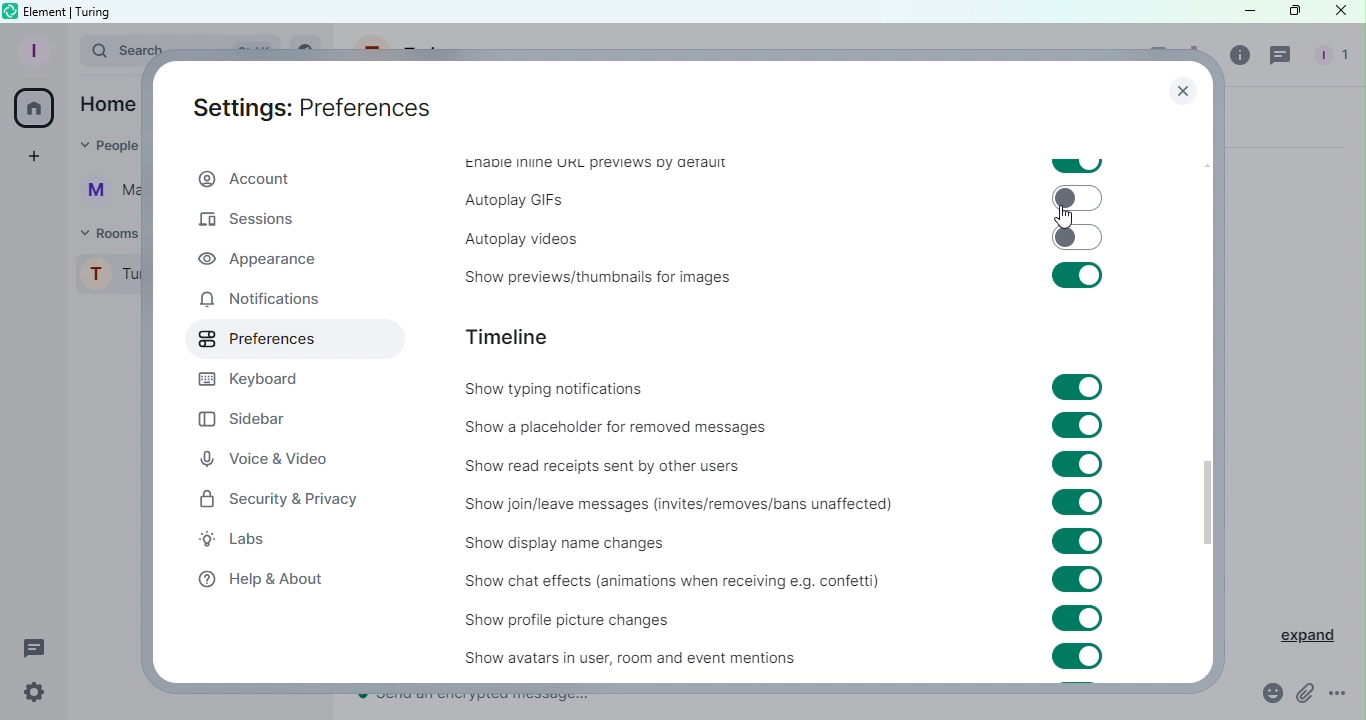 The image size is (1366, 720). Describe the element at coordinates (266, 458) in the screenshot. I see `Voice and video` at that location.